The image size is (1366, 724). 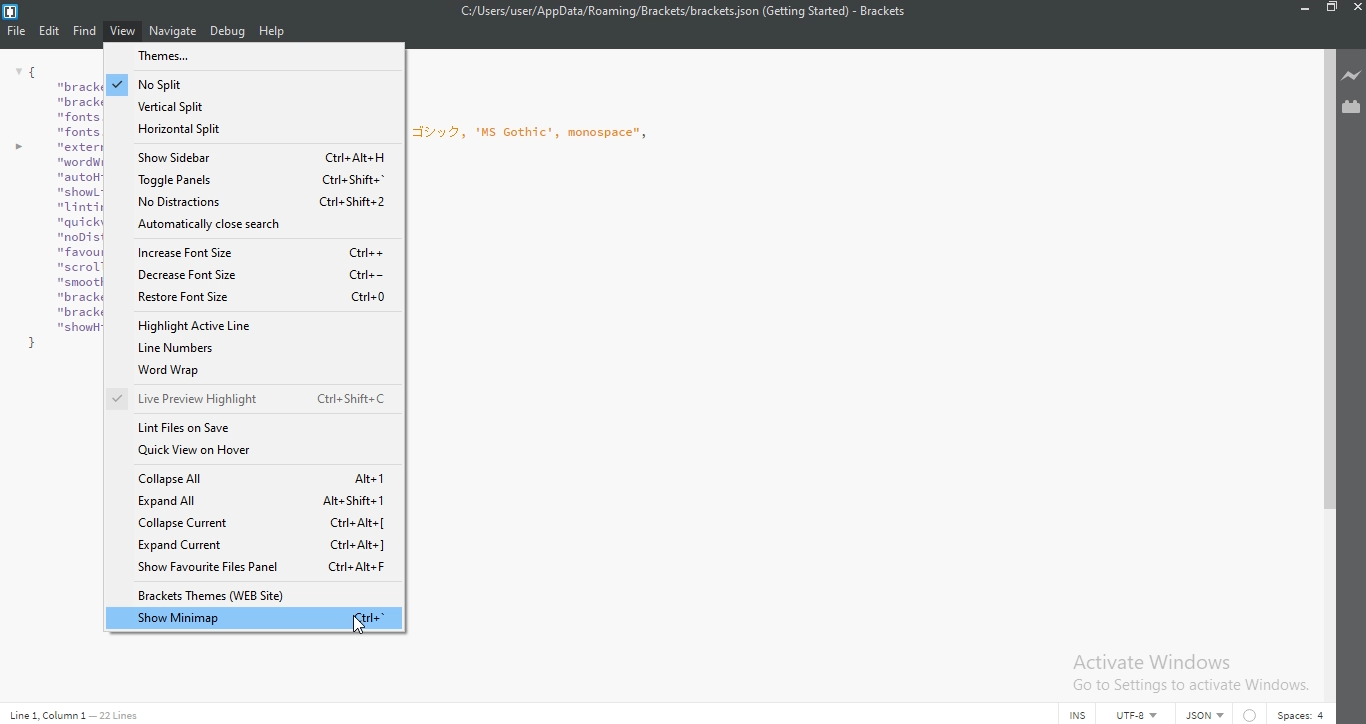 I want to click on json, so click(x=1207, y=713).